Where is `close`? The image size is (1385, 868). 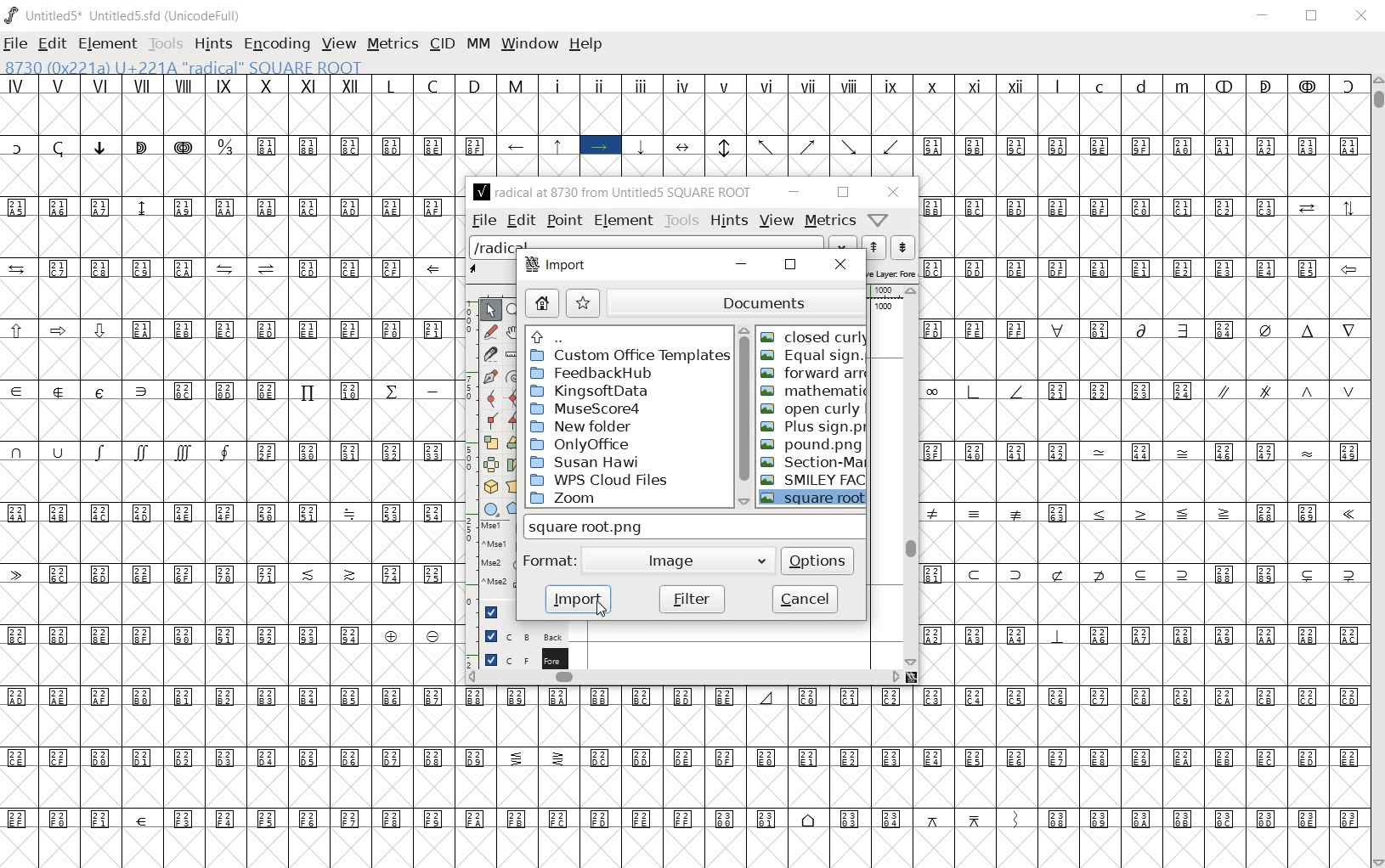 close is located at coordinates (895, 192).